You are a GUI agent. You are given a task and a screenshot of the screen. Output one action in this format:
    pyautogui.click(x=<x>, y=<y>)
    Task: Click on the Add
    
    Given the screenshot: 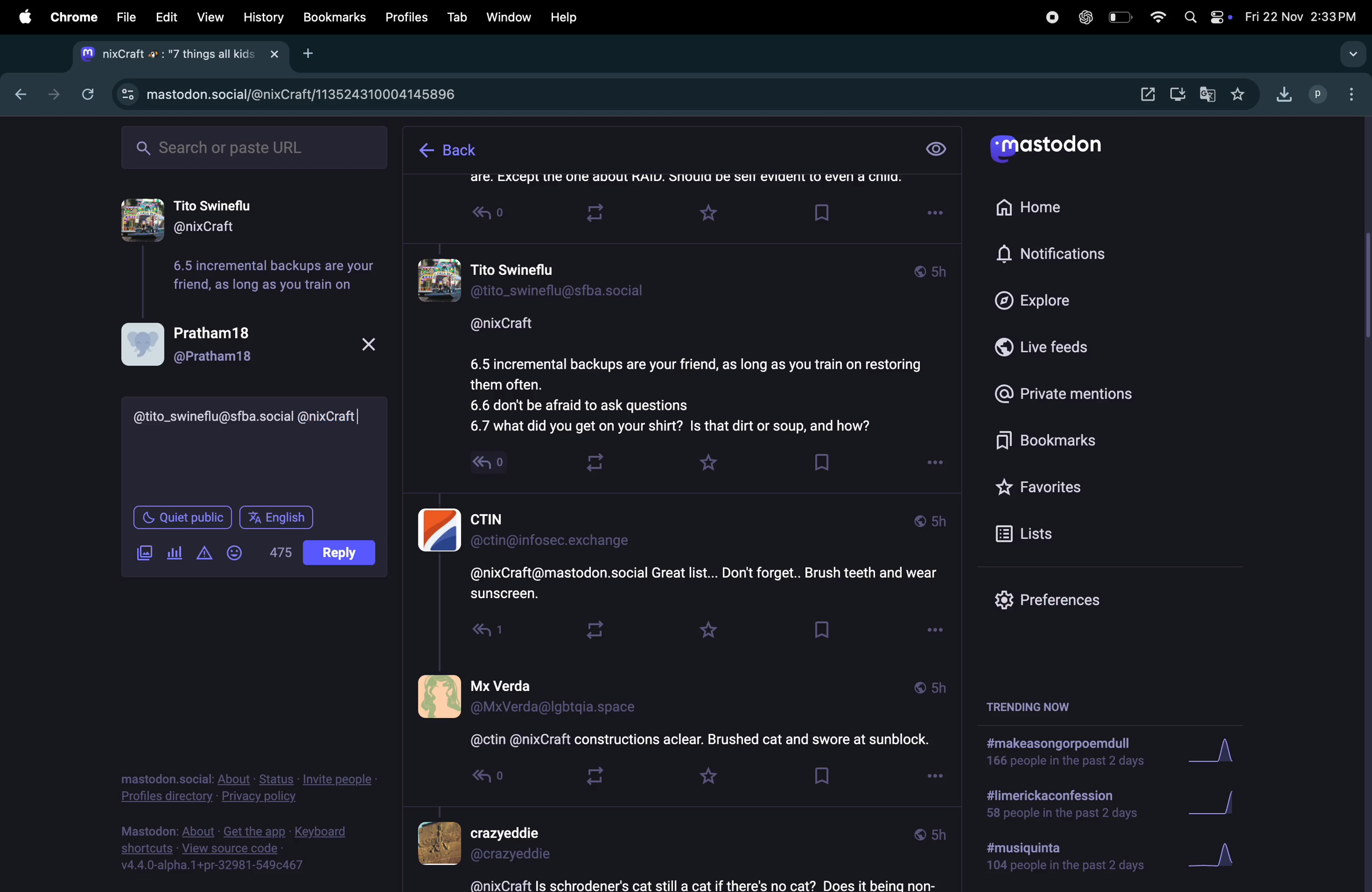 What is the action you would take?
    pyautogui.click(x=312, y=55)
    